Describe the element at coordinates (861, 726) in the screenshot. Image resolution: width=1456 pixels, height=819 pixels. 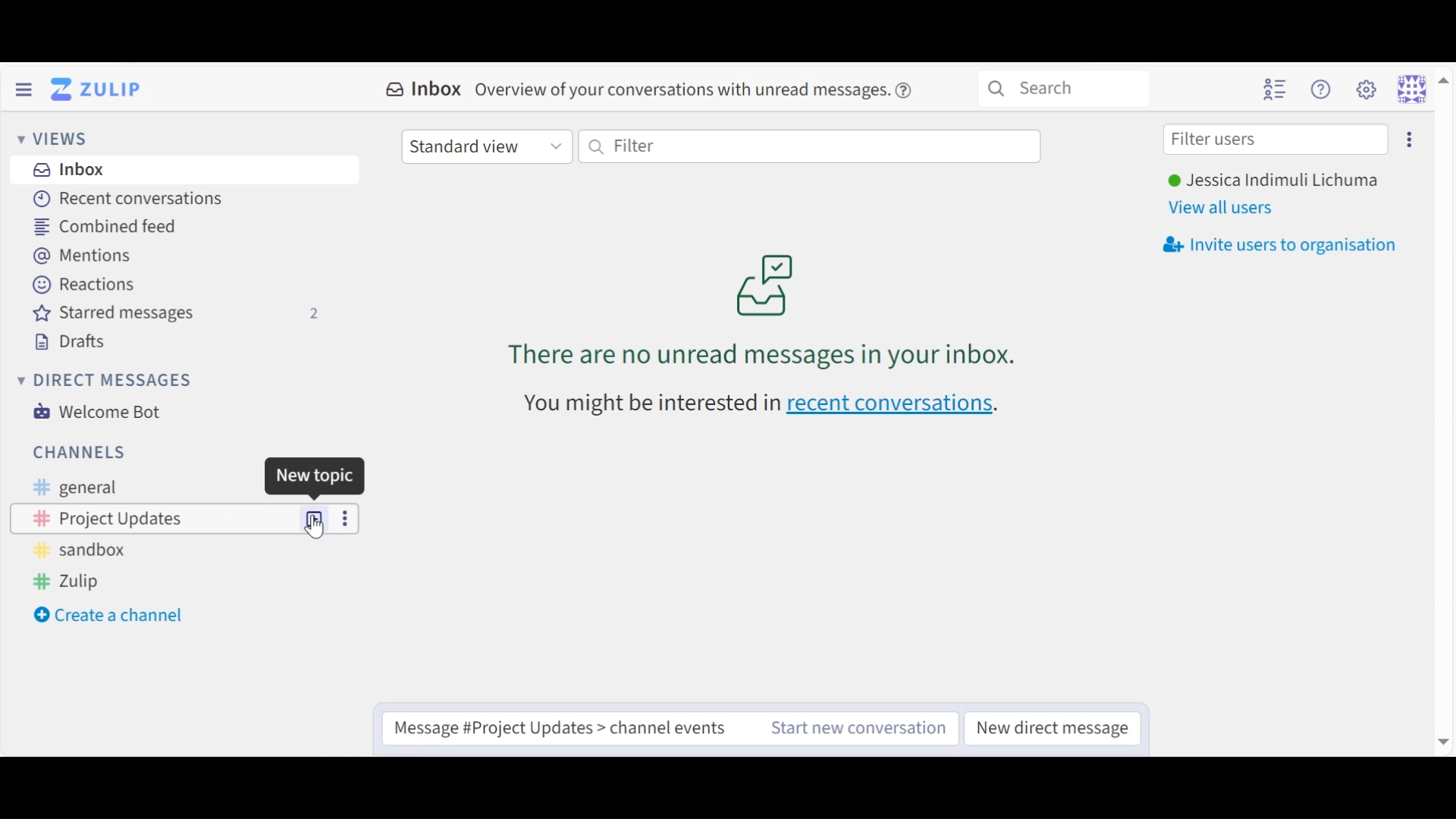
I see `Start new Conversation` at that location.